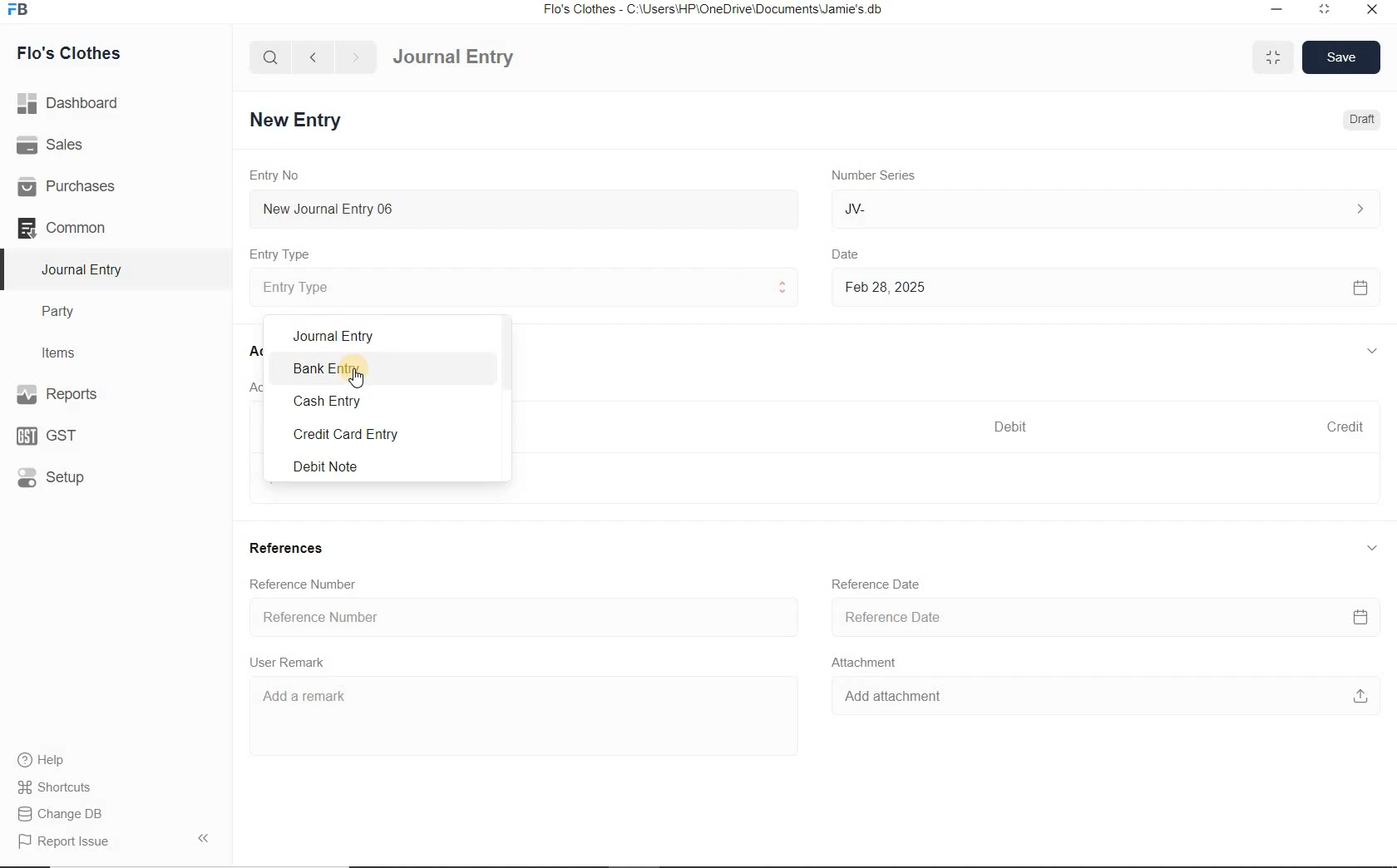 The width and height of the screenshot is (1397, 868). What do you see at coordinates (285, 254) in the screenshot?
I see `Entry Type` at bounding box center [285, 254].